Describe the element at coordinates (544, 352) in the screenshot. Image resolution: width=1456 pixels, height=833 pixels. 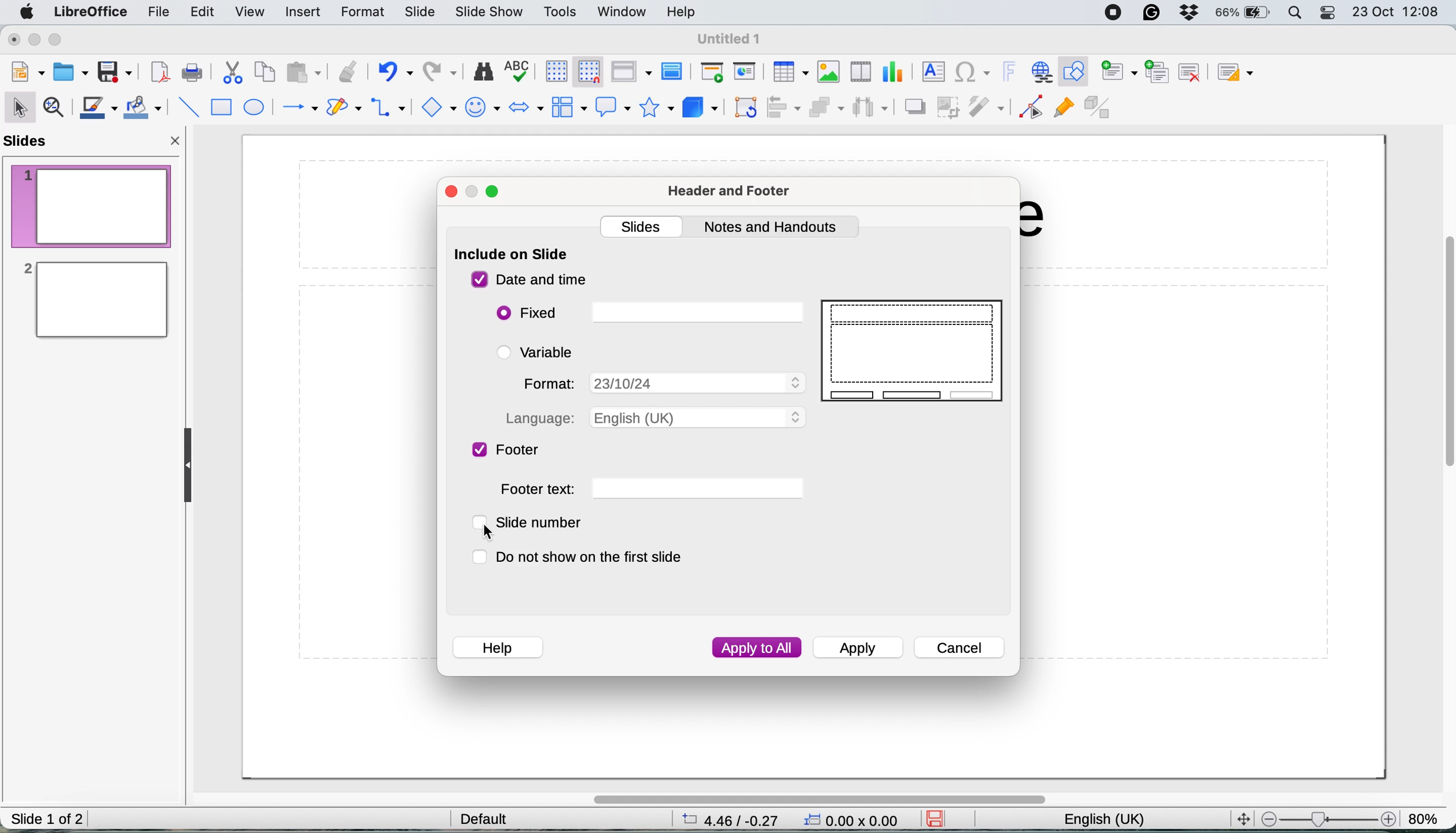
I see `variable` at that location.